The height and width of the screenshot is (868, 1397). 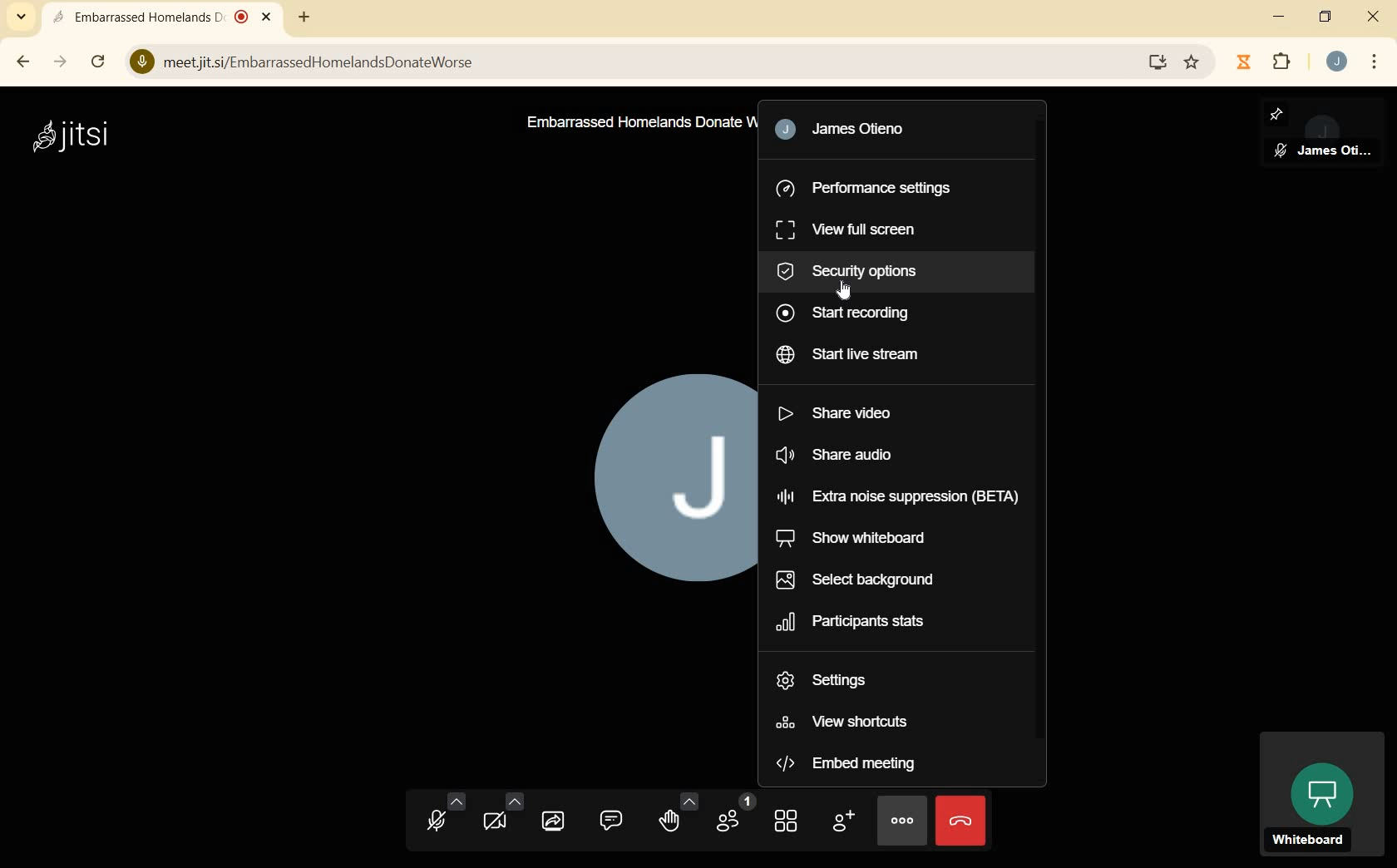 I want to click on jibble, so click(x=1247, y=62).